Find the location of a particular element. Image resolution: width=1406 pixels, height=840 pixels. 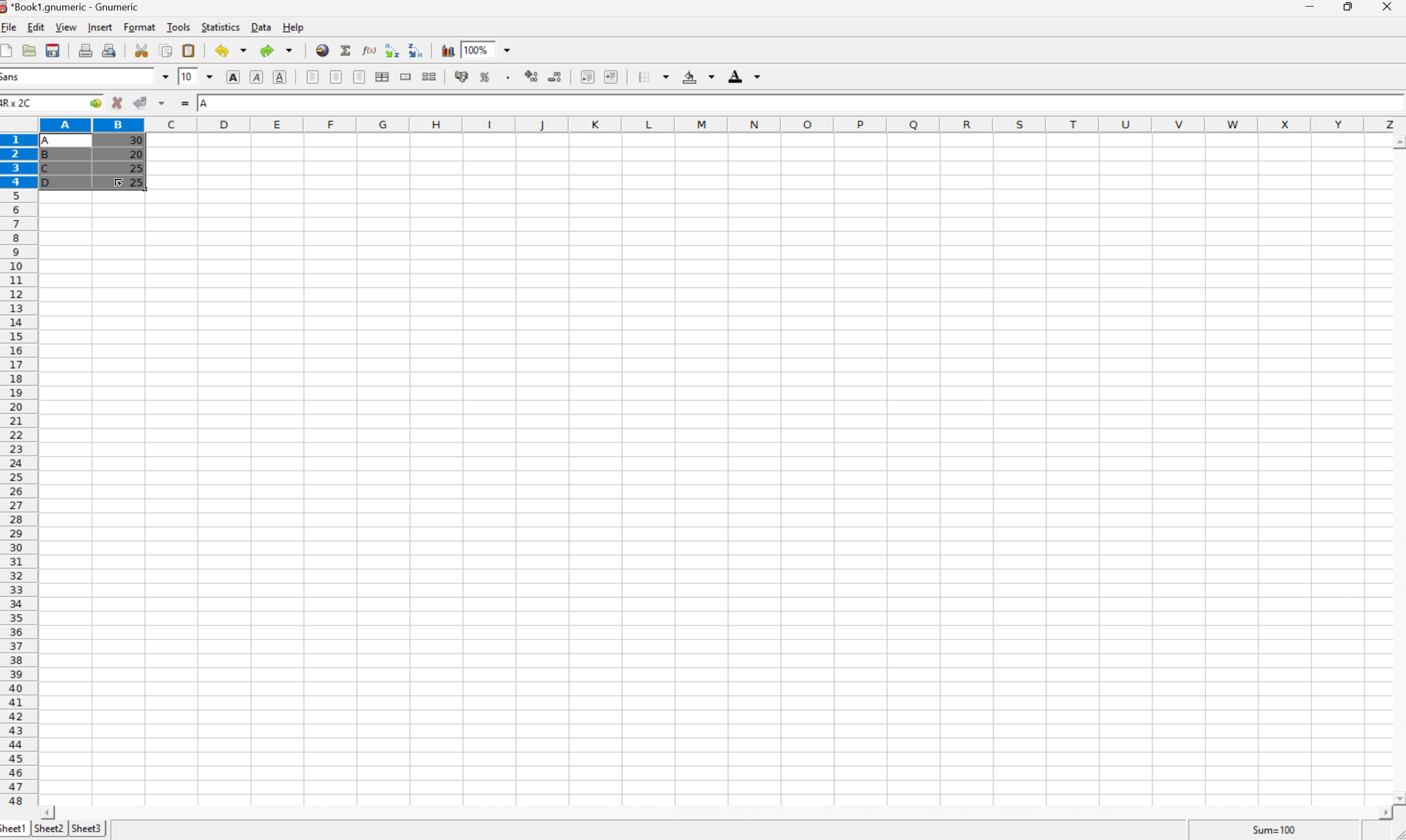

Scroll Right is located at coordinates (1381, 813).